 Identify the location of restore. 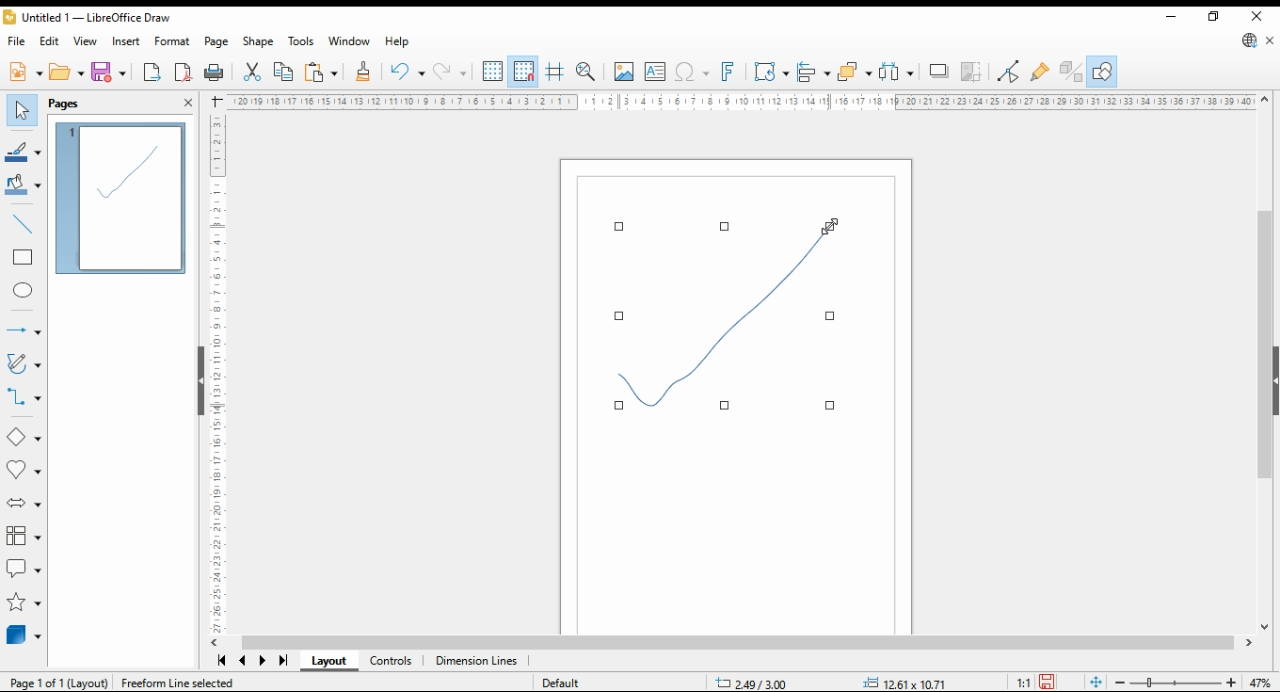
(1213, 17).